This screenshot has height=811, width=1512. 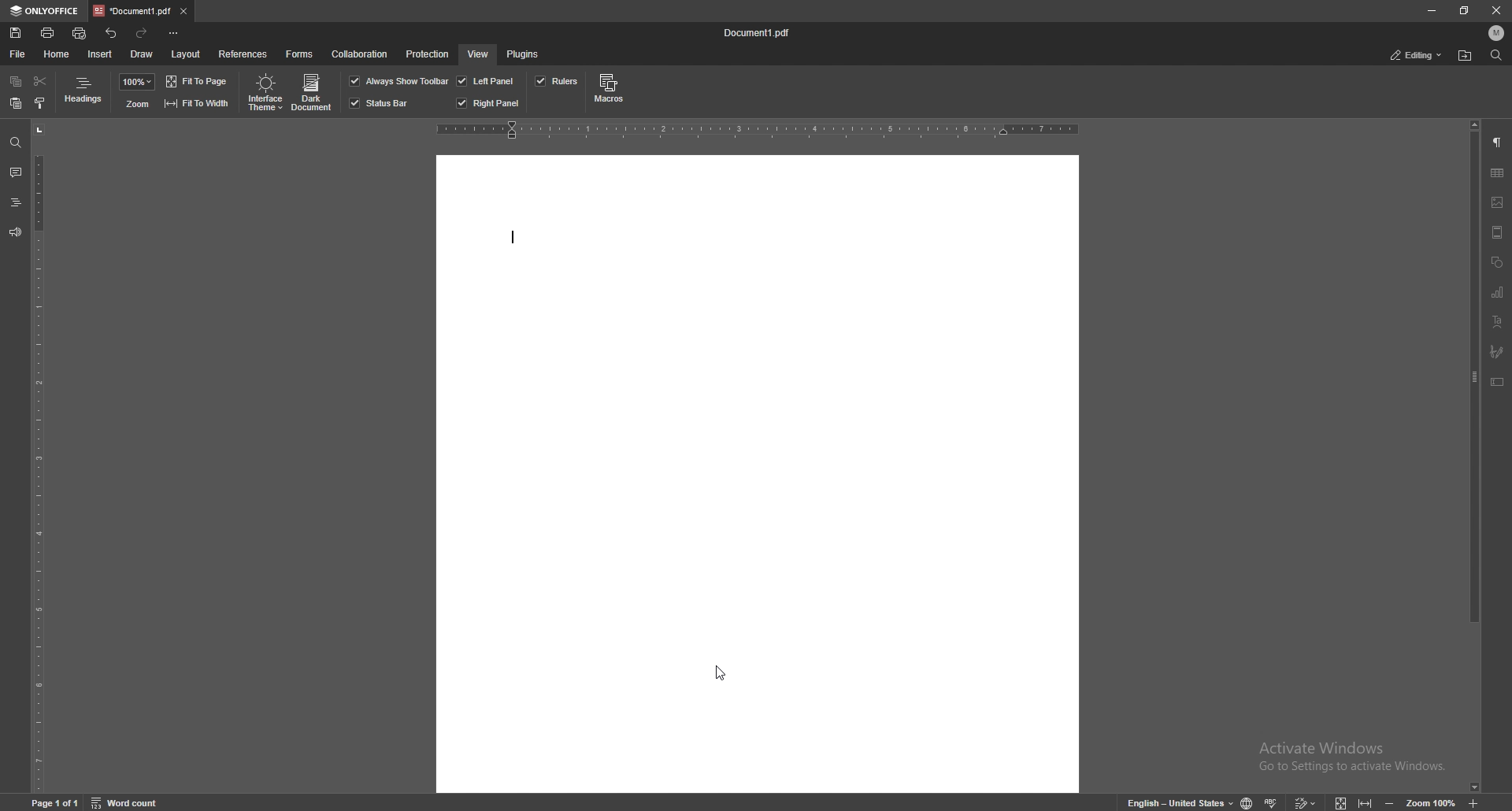 I want to click on vertical scale, so click(x=39, y=456).